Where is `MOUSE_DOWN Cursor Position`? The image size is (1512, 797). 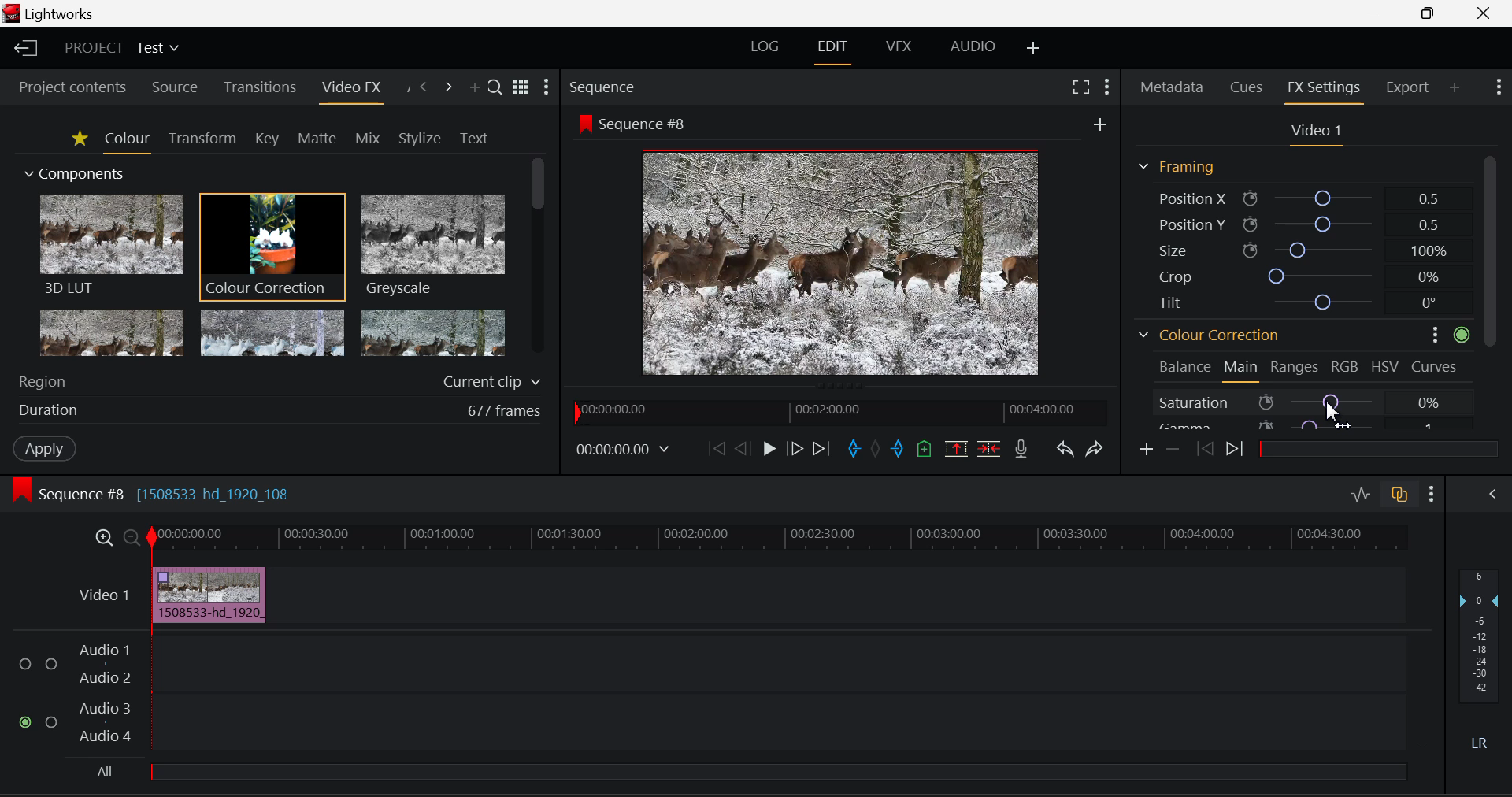
MOUSE_DOWN Cursor Position is located at coordinates (1336, 408).